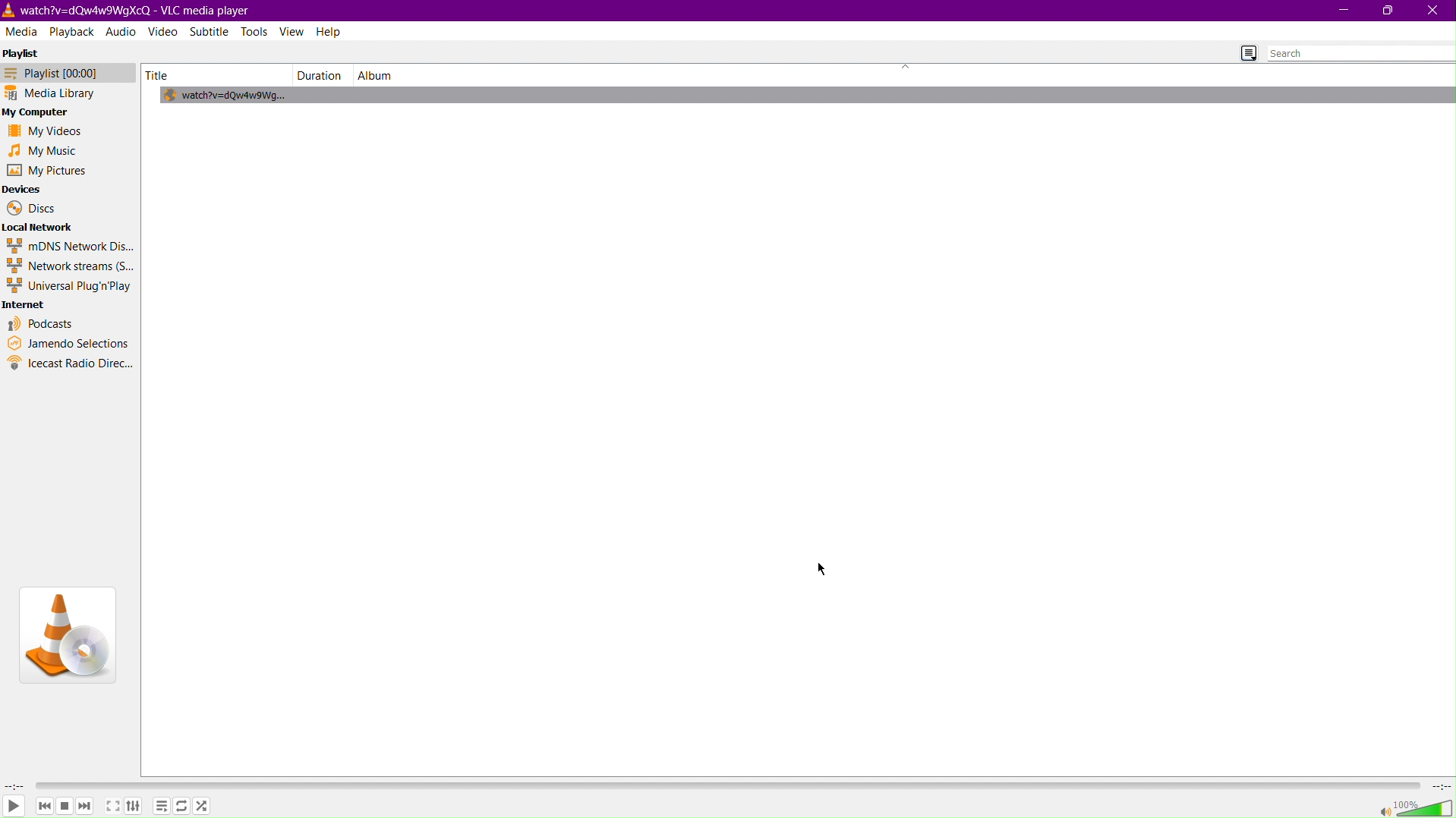  I want to click on Devices, so click(24, 188).